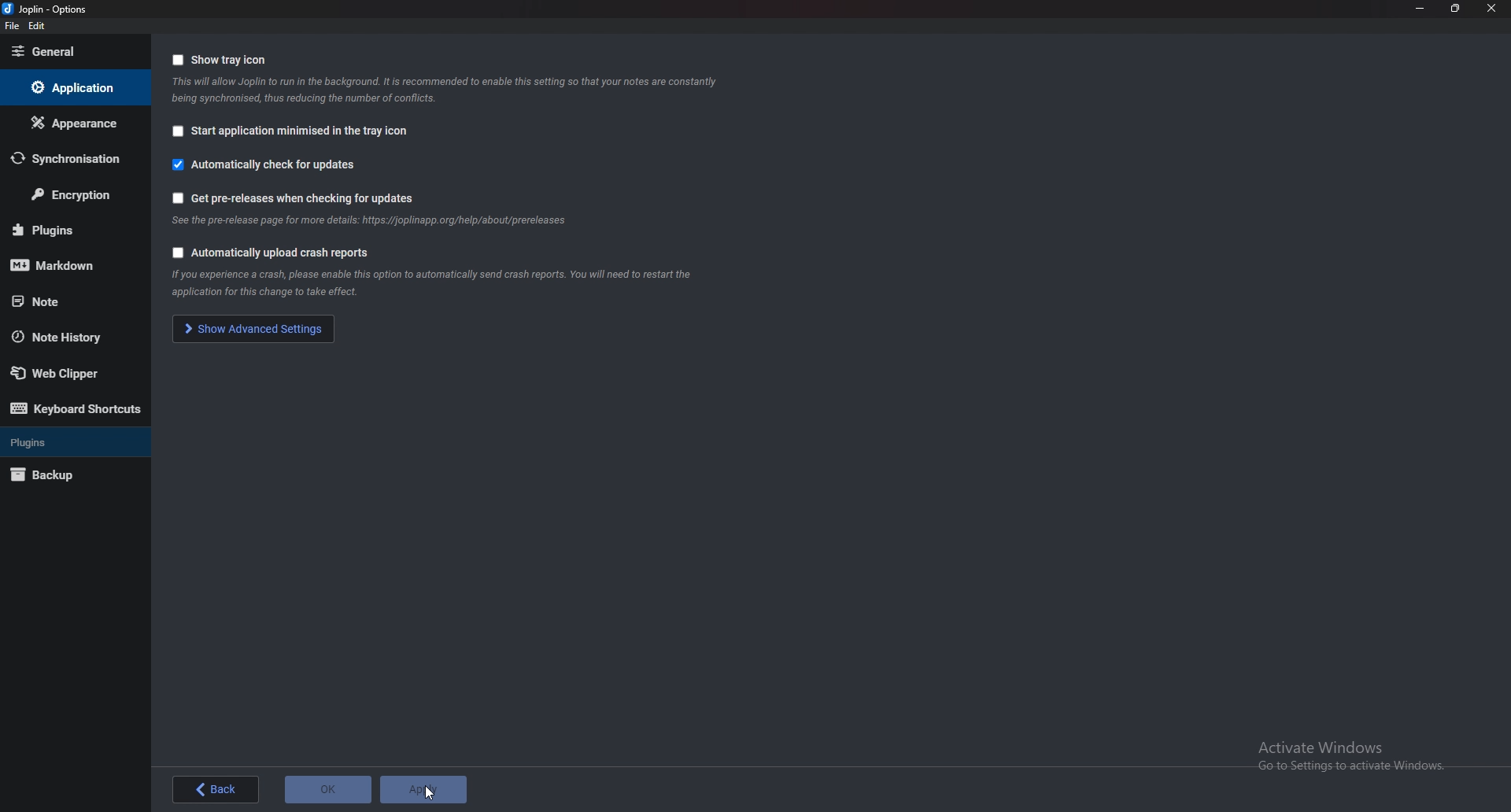 The height and width of the screenshot is (812, 1511). What do you see at coordinates (64, 474) in the screenshot?
I see `Back up` at bounding box center [64, 474].